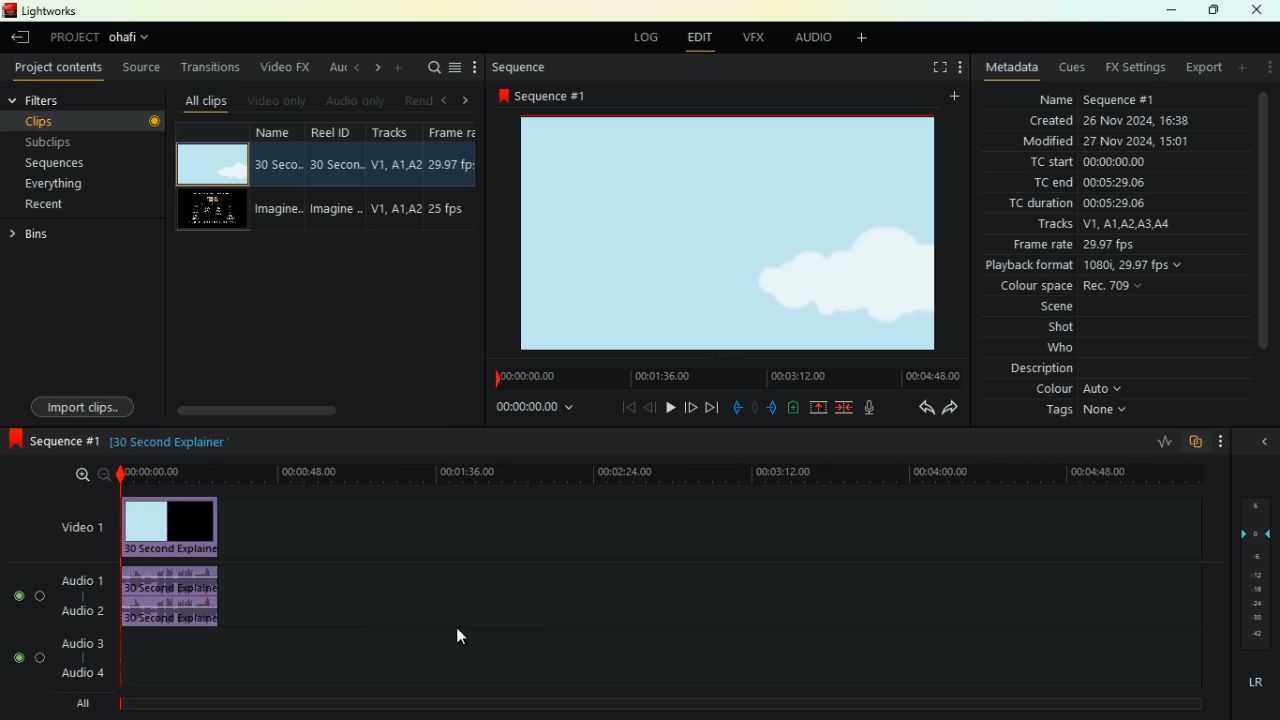 Image resolution: width=1280 pixels, height=720 pixels. What do you see at coordinates (773, 407) in the screenshot?
I see `push` at bounding box center [773, 407].